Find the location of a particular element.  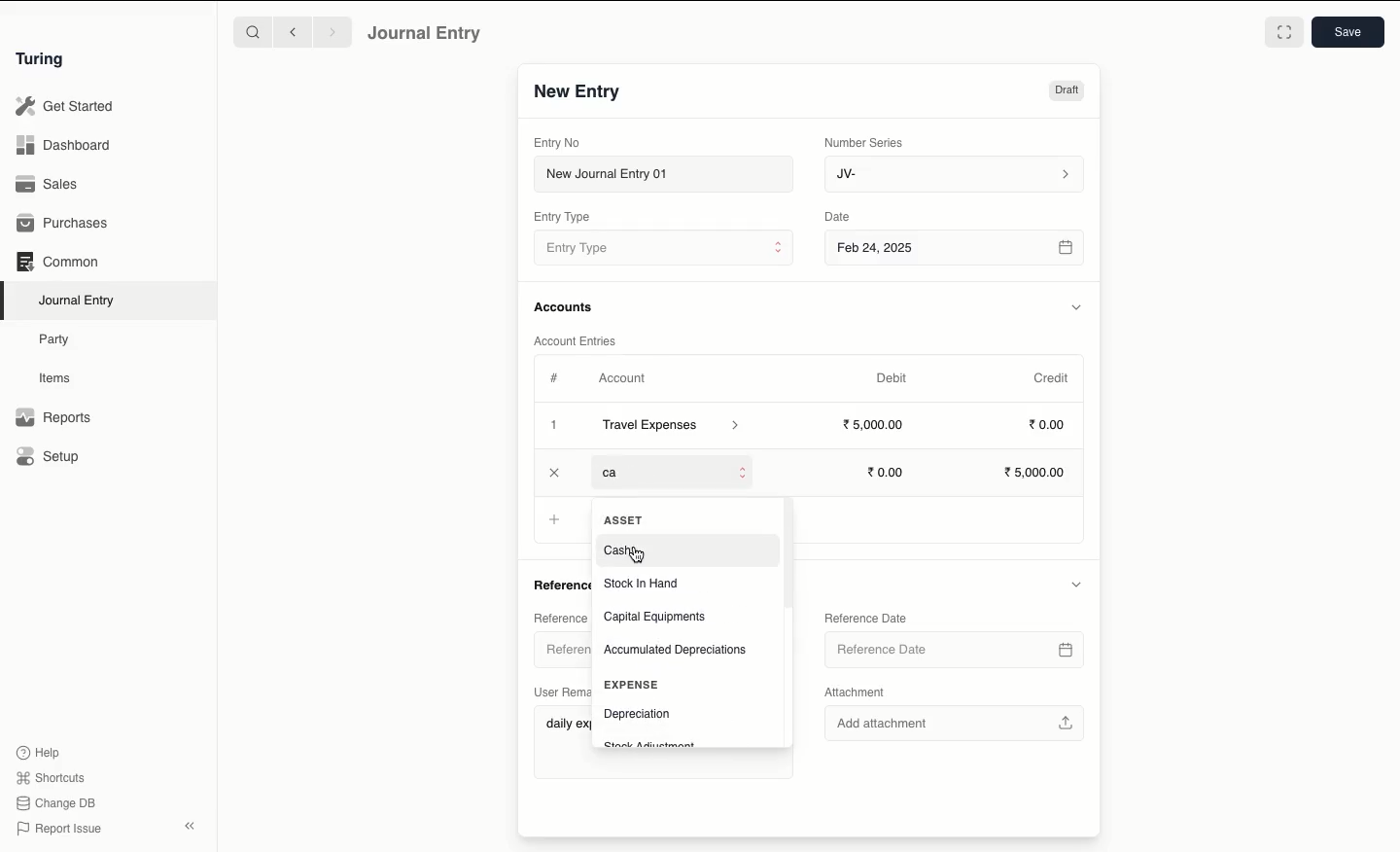

Account Entries is located at coordinates (578, 340).